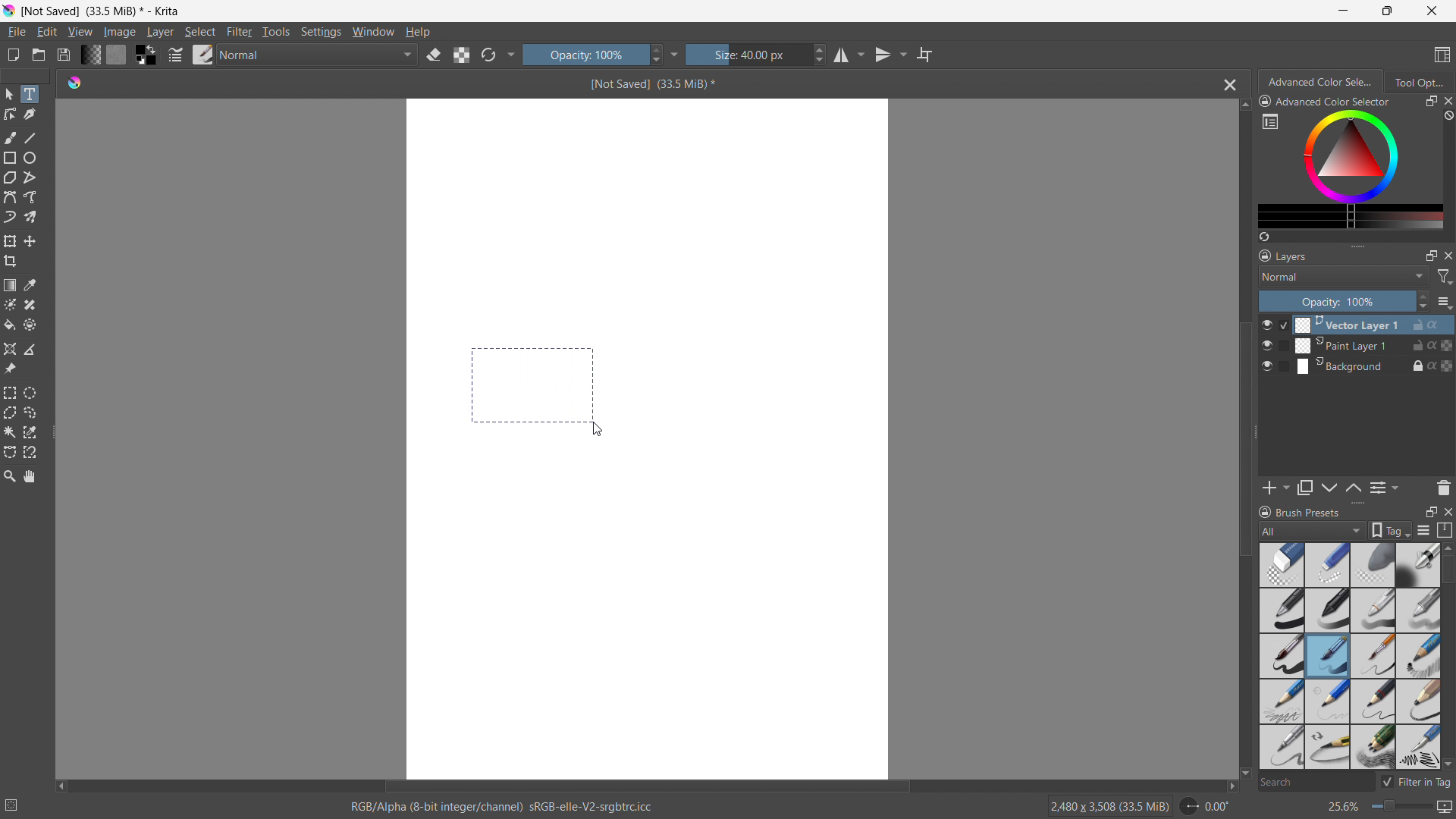 The width and height of the screenshot is (1456, 819). Describe the element at coordinates (1353, 487) in the screenshot. I see `move layer down` at that location.